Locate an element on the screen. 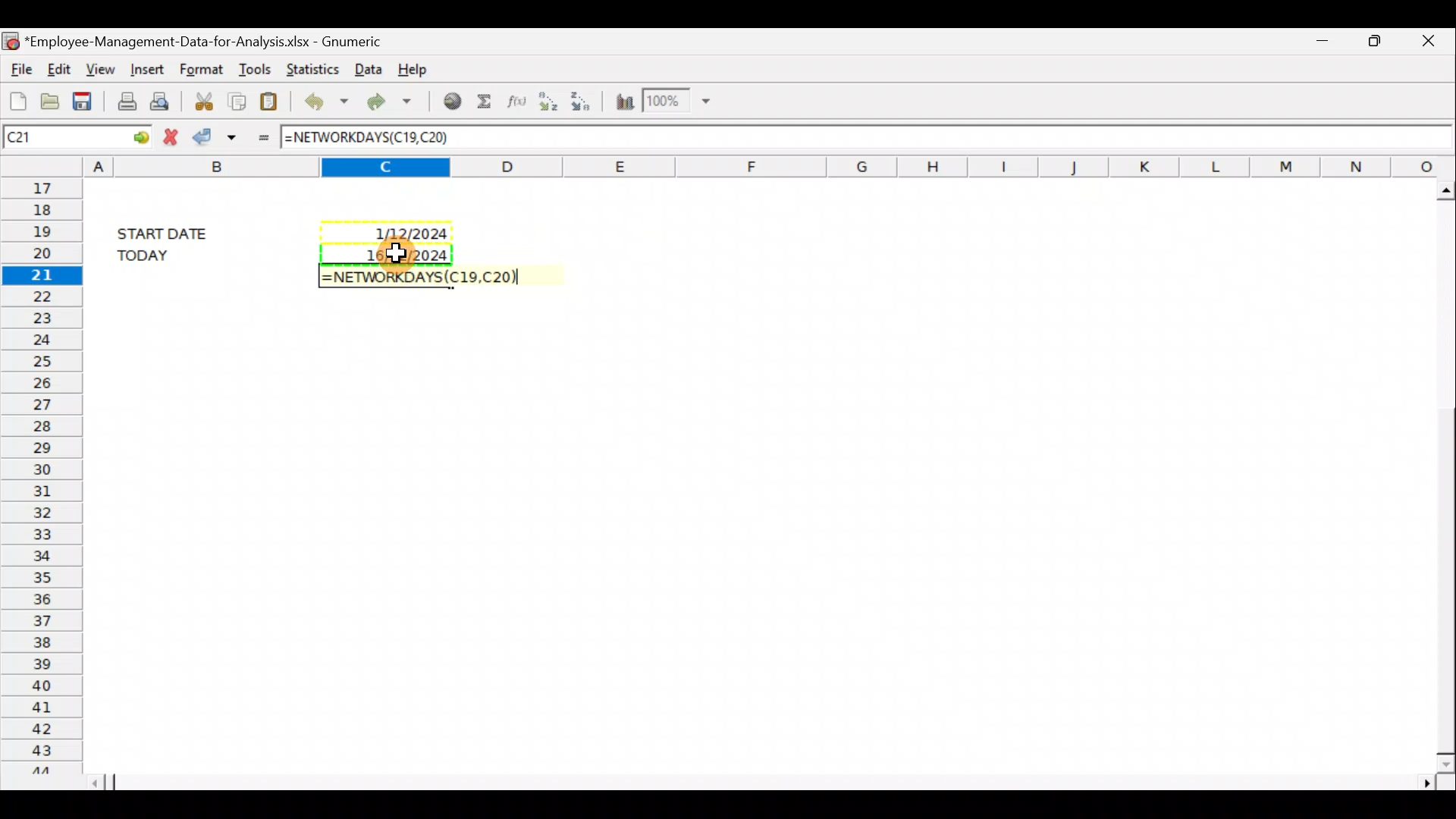  =NETWORKDAYS(C19,20) is located at coordinates (369, 139).